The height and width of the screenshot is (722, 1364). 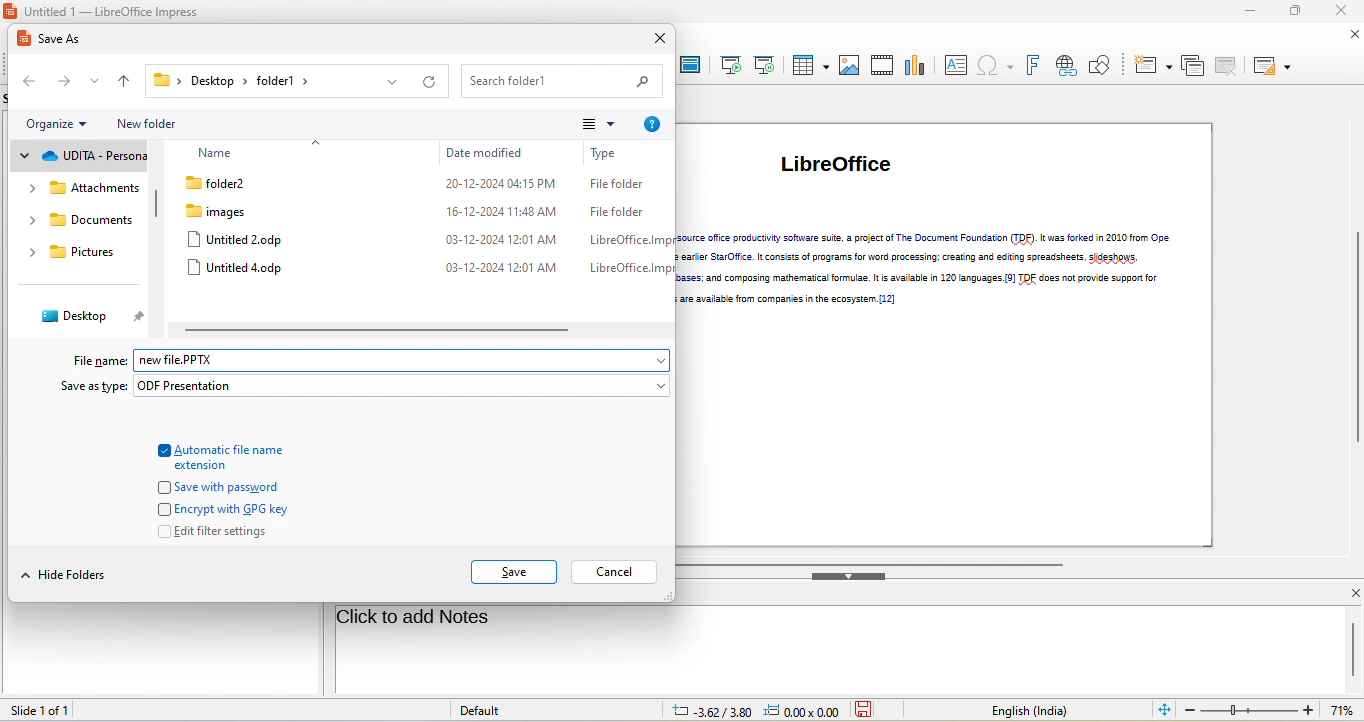 I want to click on File folder, so click(x=613, y=185).